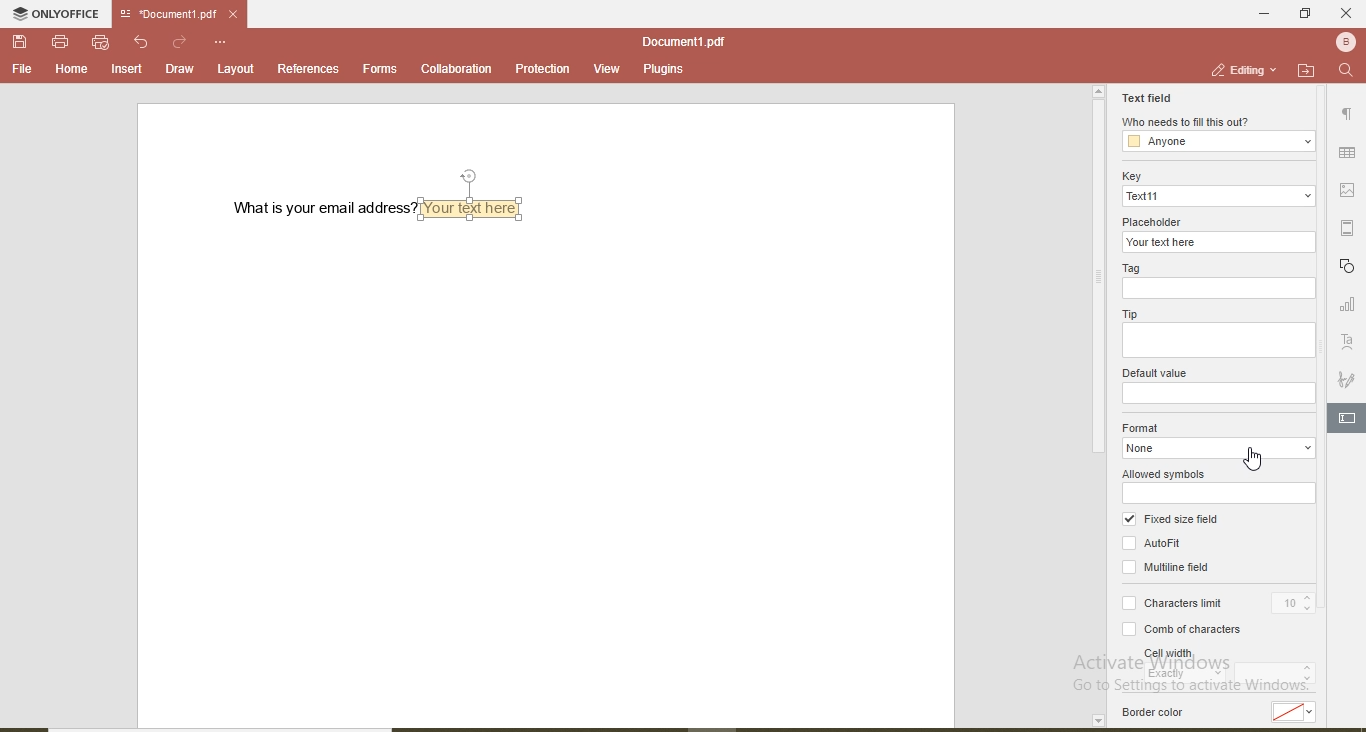  What do you see at coordinates (1170, 520) in the screenshot?
I see `fixed size field` at bounding box center [1170, 520].